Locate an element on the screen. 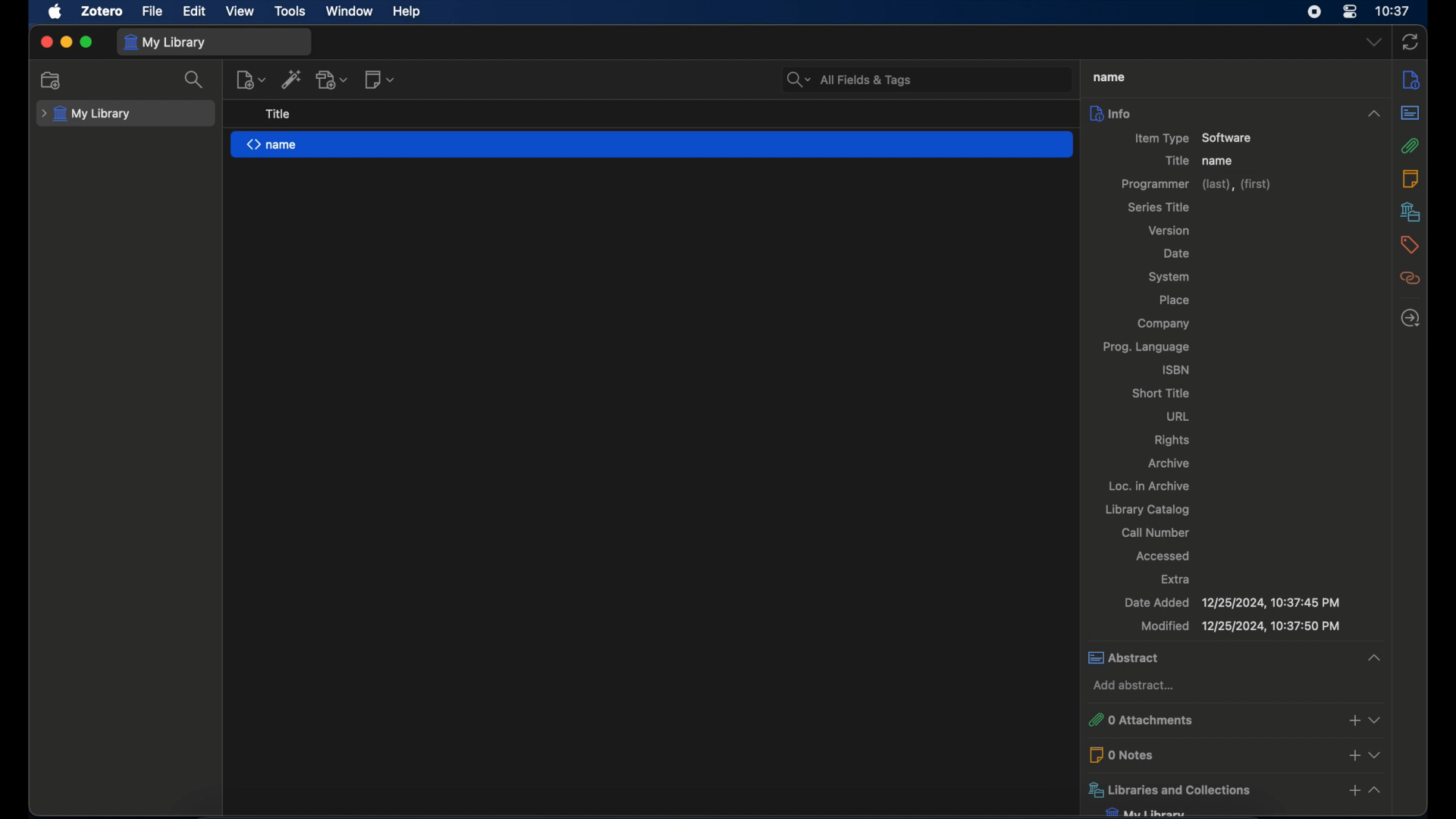 This screenshot has width=1456, height=819. zotero is located at coordinates (104, 11).